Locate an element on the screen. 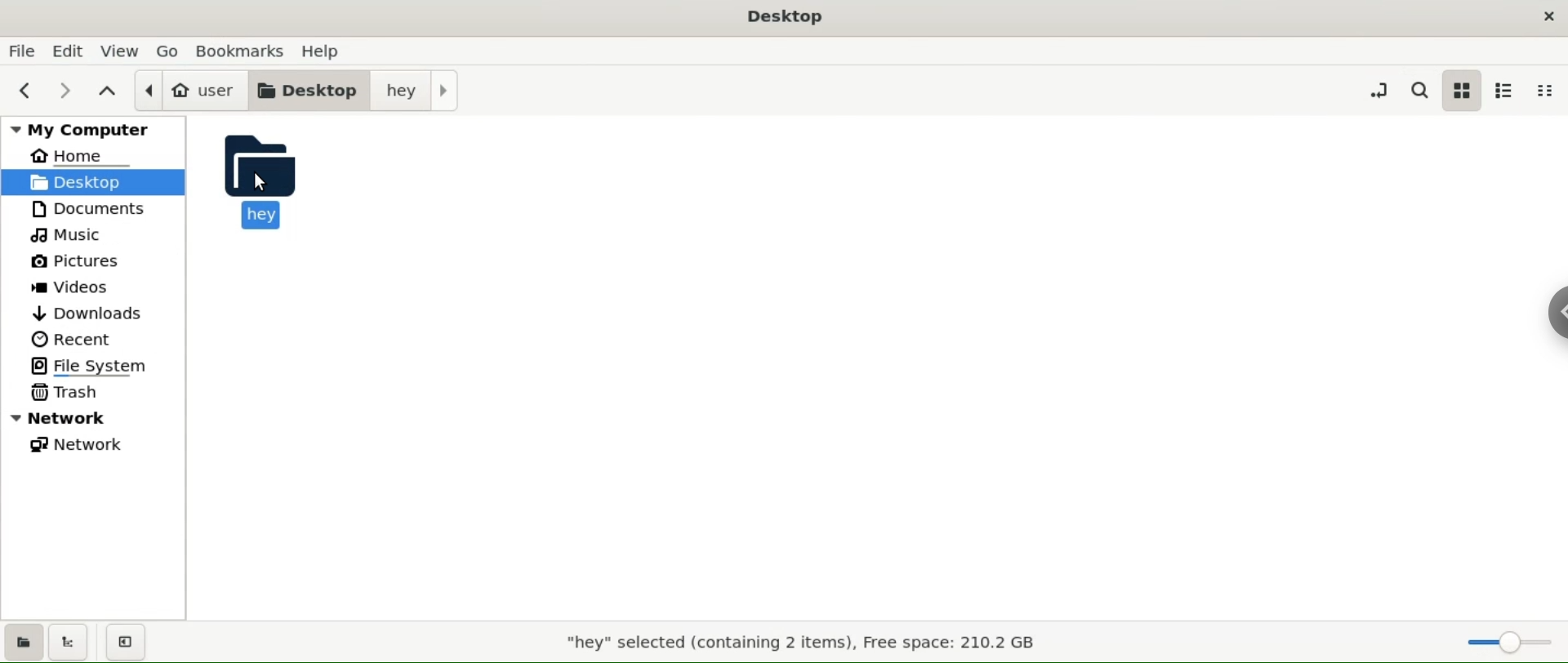  recent is located at coordinates (71, 340).